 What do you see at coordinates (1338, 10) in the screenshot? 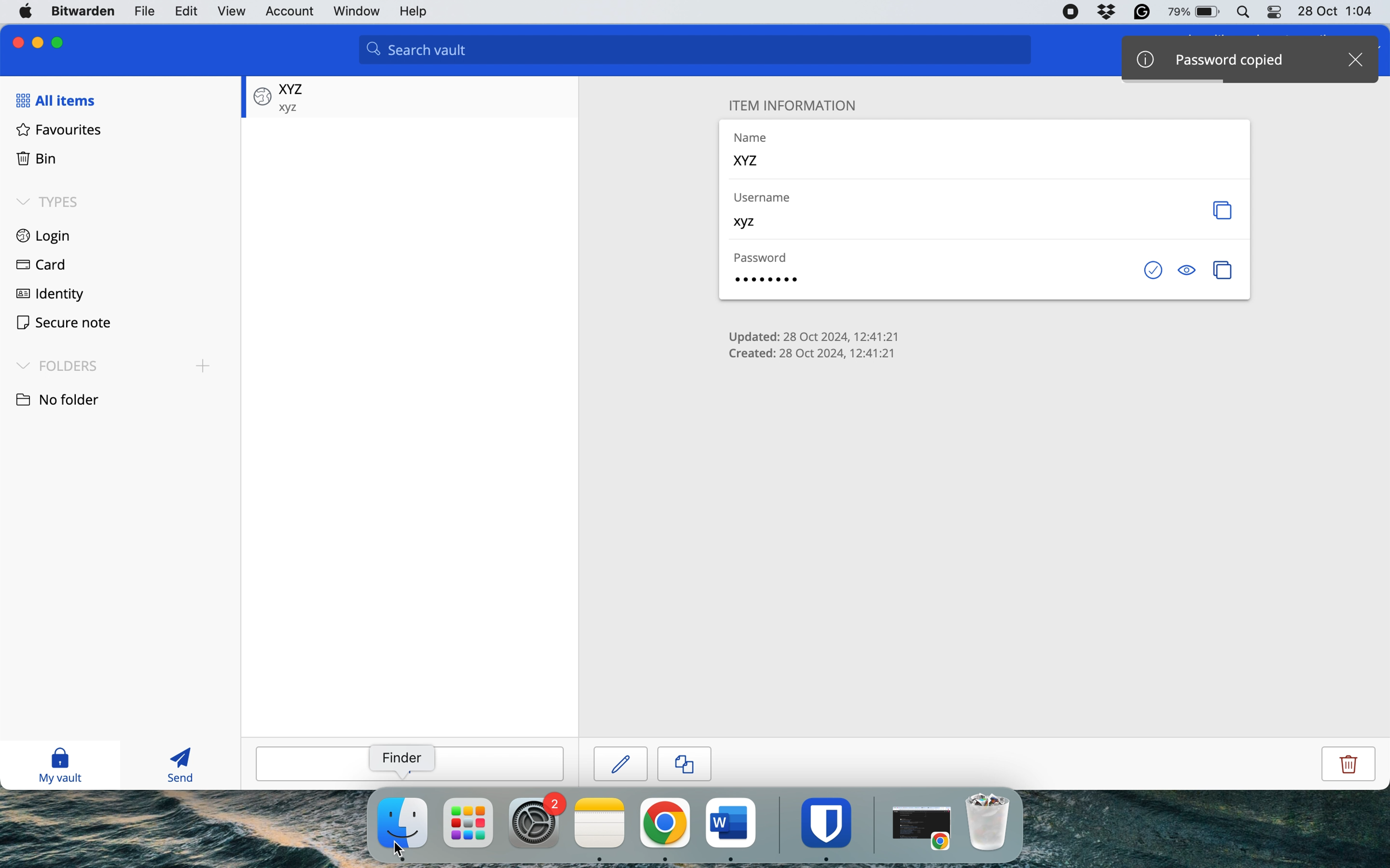
I see `date and time` at bounding box center [1338, 10].